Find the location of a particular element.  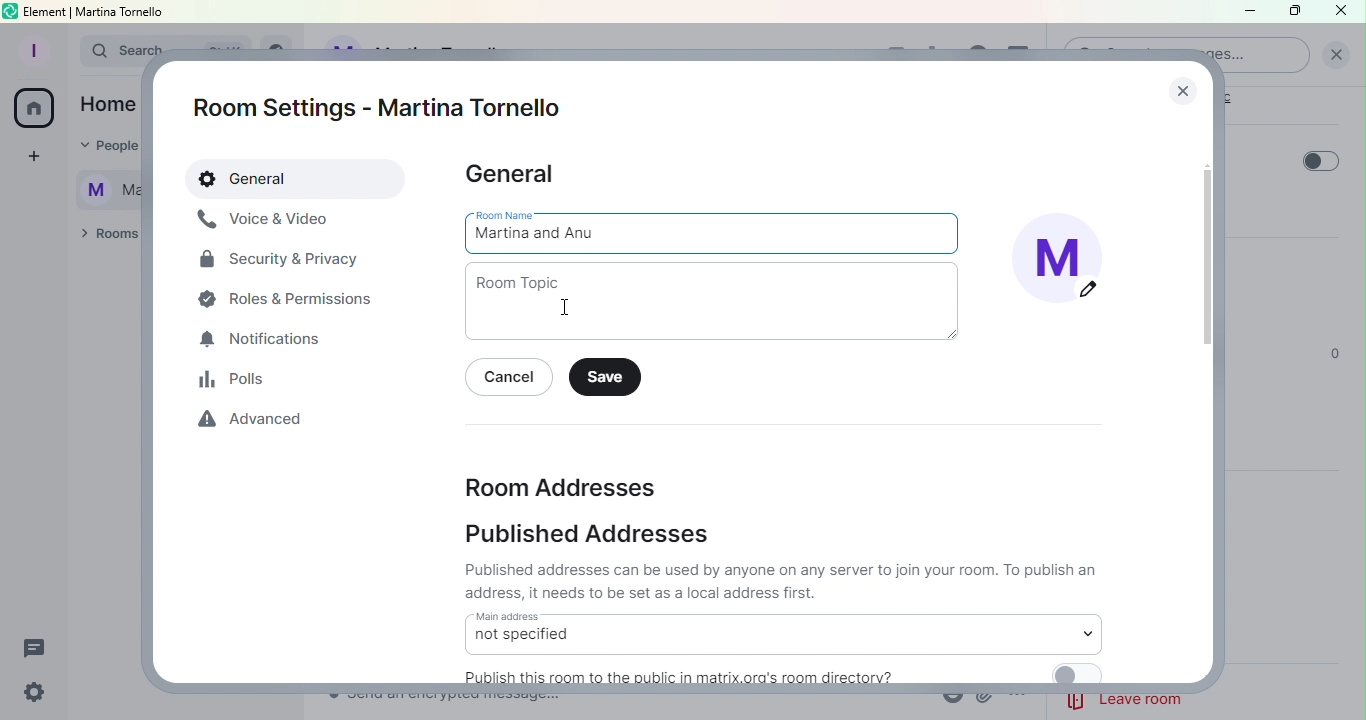

Room settings - Martina Tornello is located at coordinates (385, 108).